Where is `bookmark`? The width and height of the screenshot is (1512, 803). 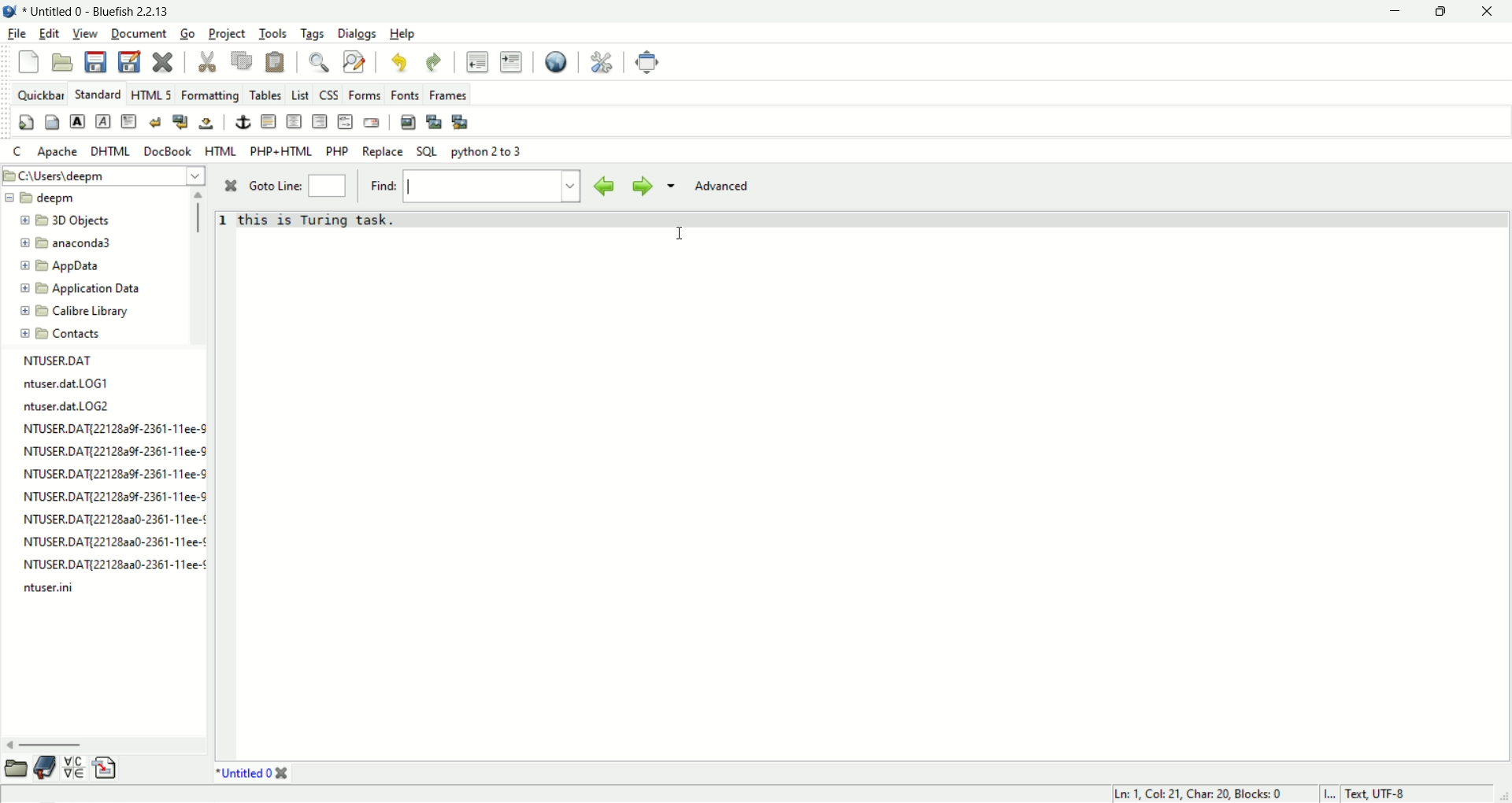 bookmark is located at coordinates (44, 767).